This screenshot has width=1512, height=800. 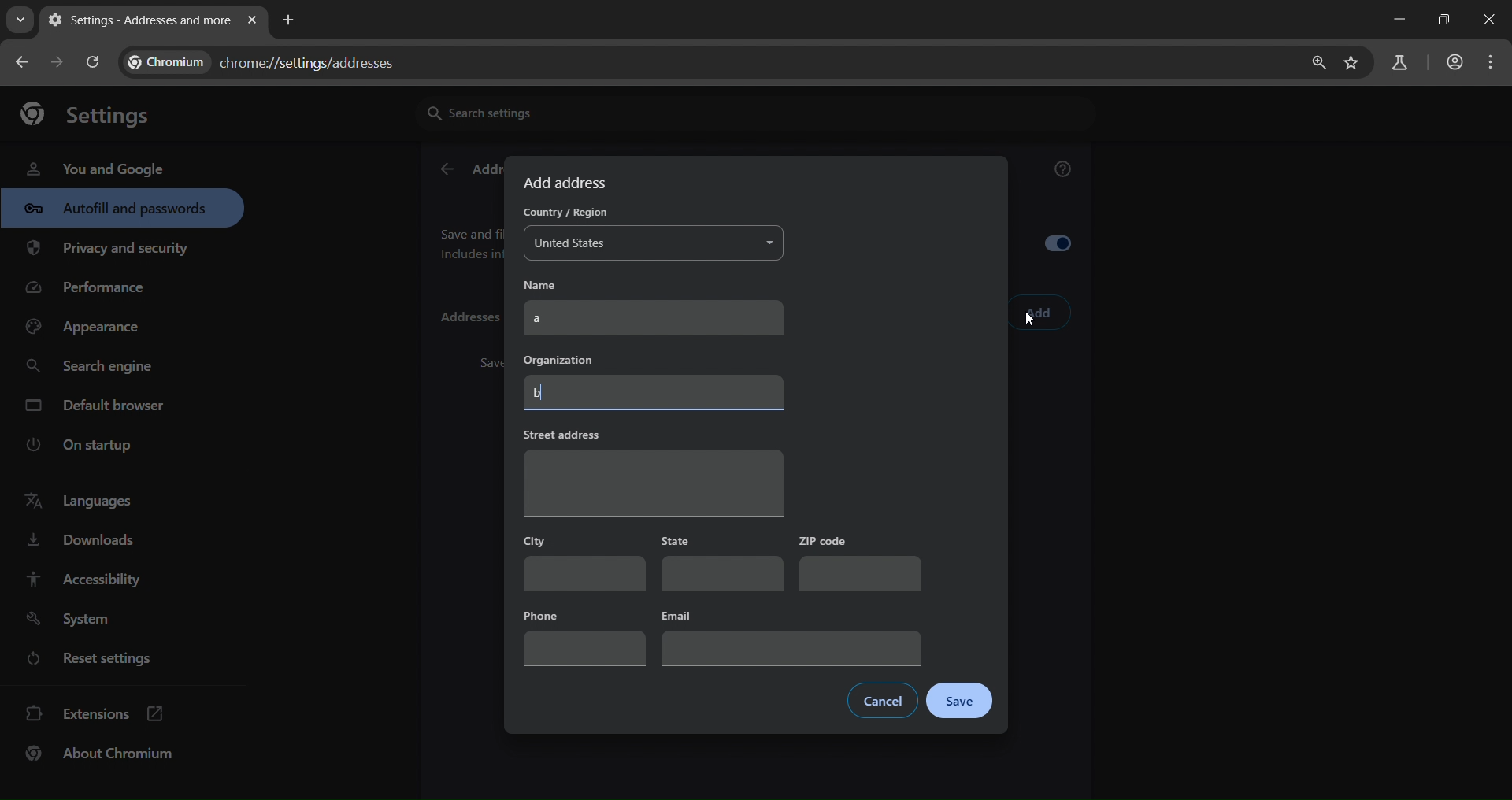 What do you see at coordinates (94, 167) in the screenshot?
I see `you and google ` at bounding box center [94, 167].